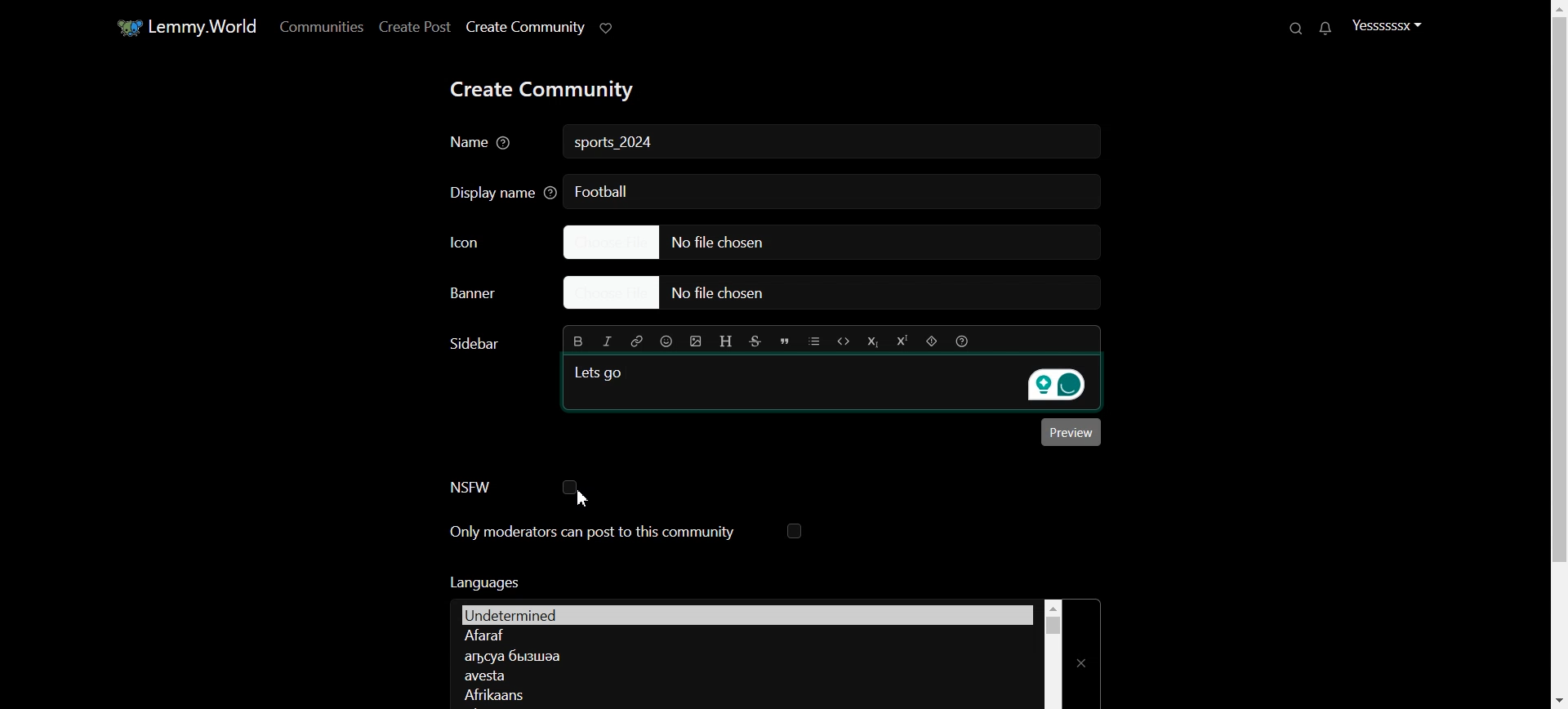 The height and width of the screenshot is (709, 1568). I want to click on Text, so click(616, 144).